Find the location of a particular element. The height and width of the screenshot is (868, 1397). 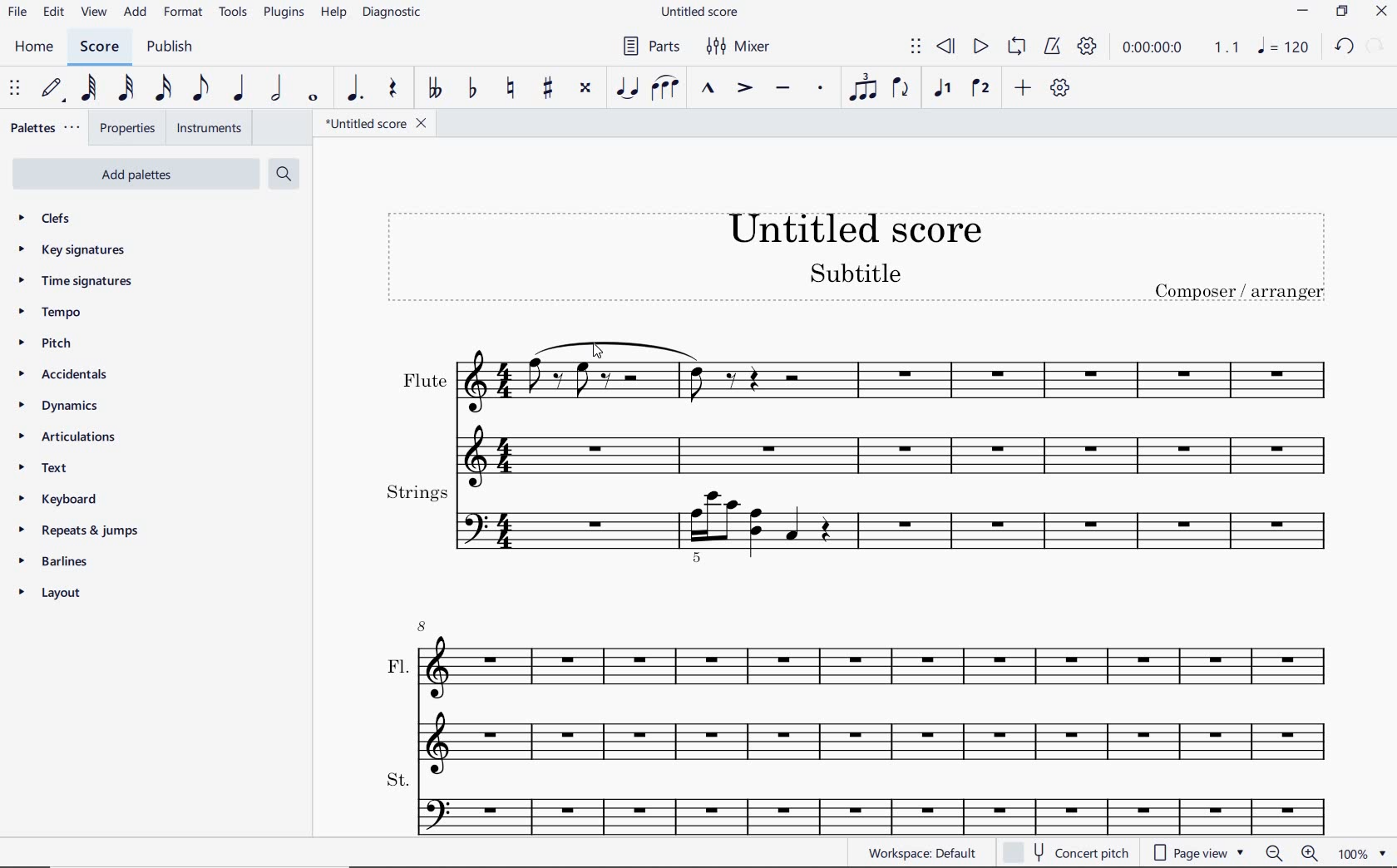

INSTRUMENTS is located at coordinates (207, 127).